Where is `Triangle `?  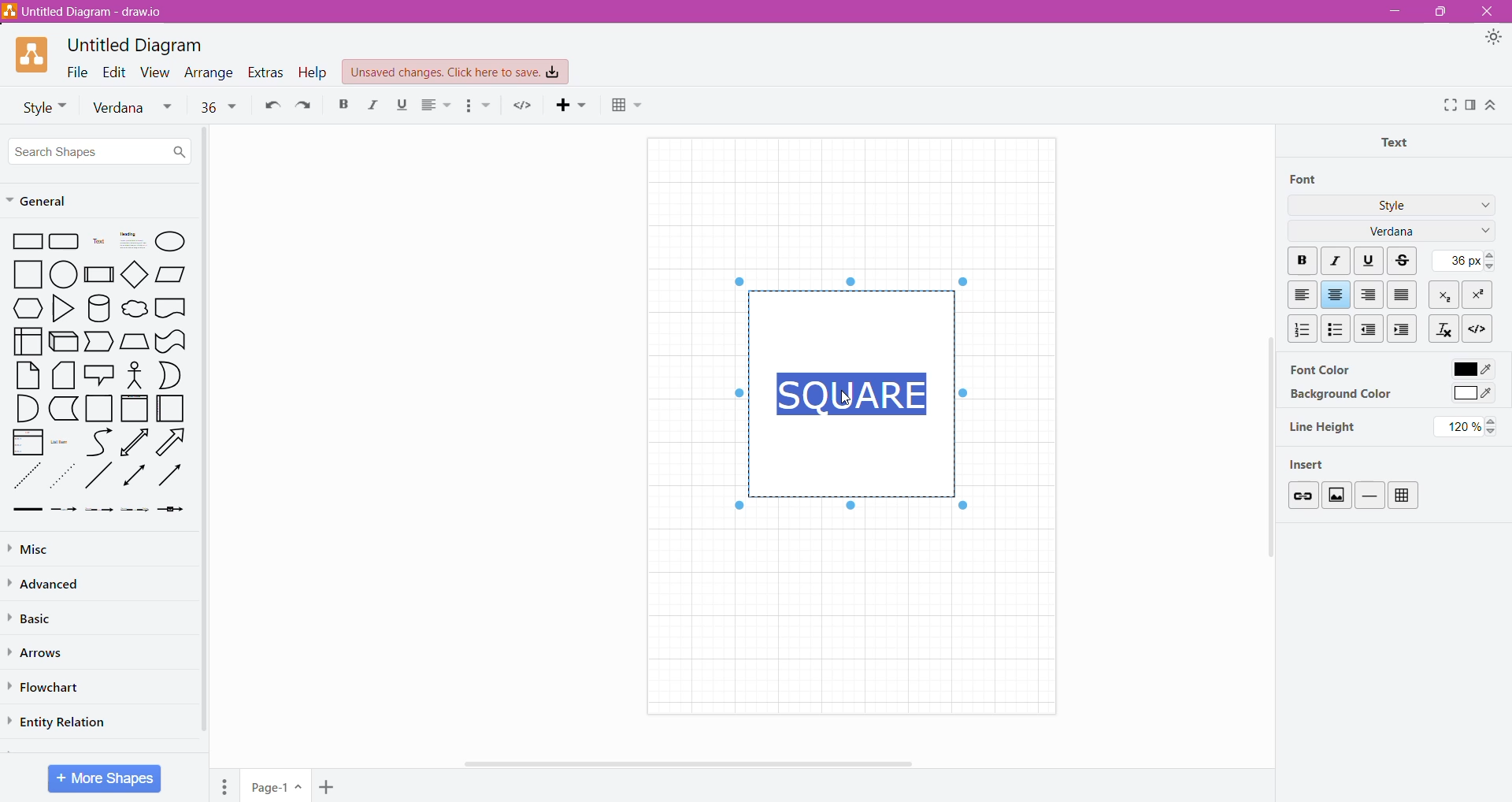 Triangle  is located at coordinates (62, 307).